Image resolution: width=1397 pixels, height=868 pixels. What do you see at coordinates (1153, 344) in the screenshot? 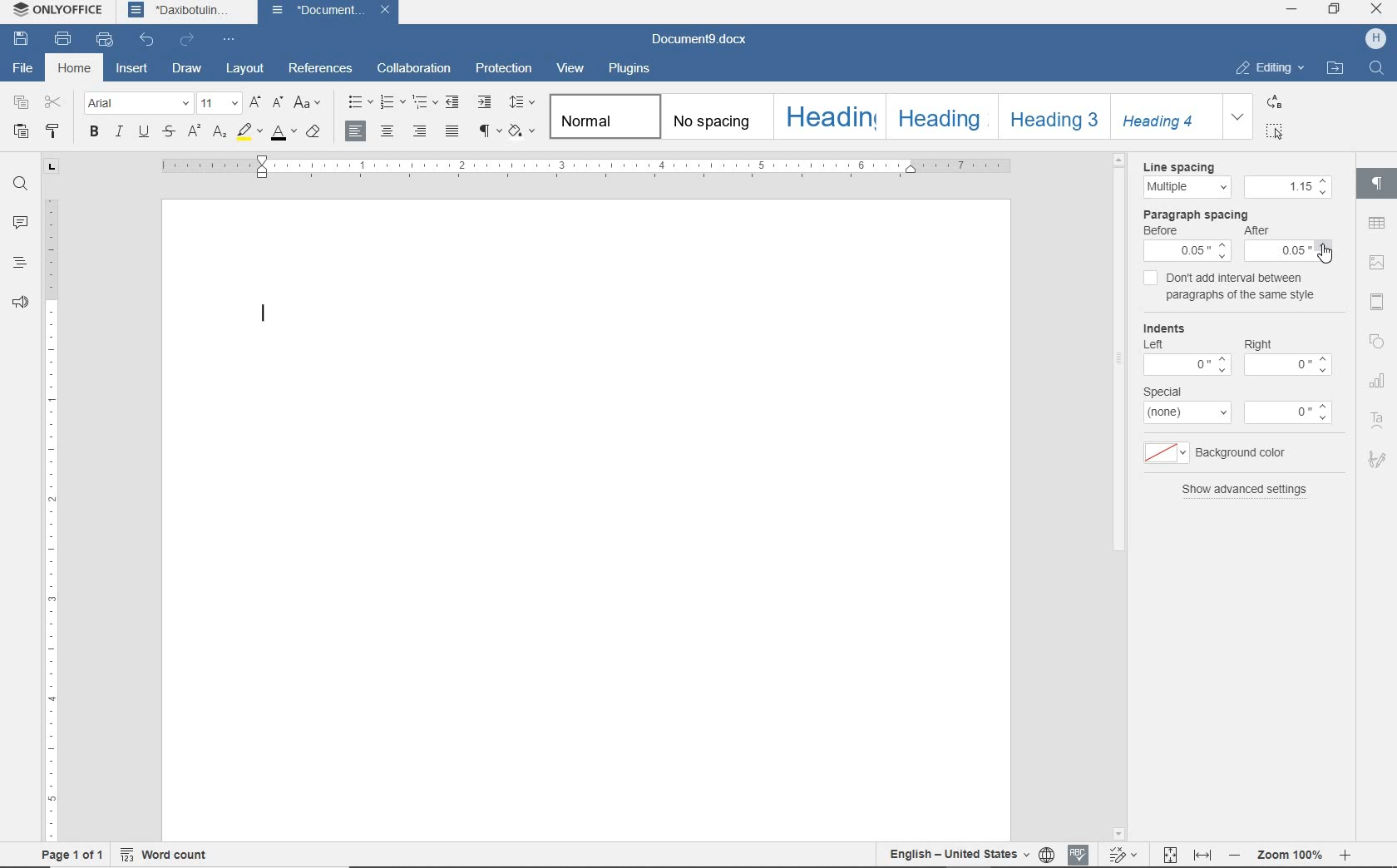
I see `Left` at bounding box center [1153, 344].